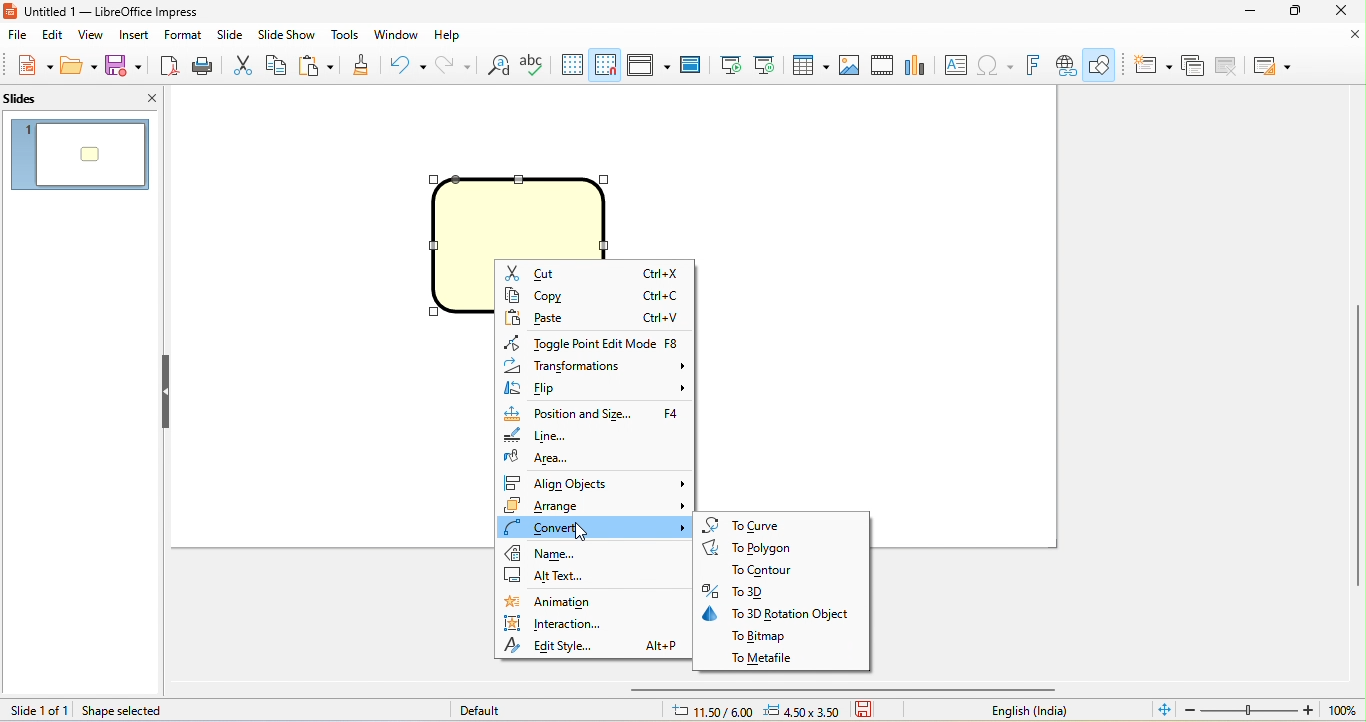 The height and width of the screenshot is (722, 1366). Describe the element at coordinates (848, 690) in the screenshot. I see `horizontal scroll bar` at that location.